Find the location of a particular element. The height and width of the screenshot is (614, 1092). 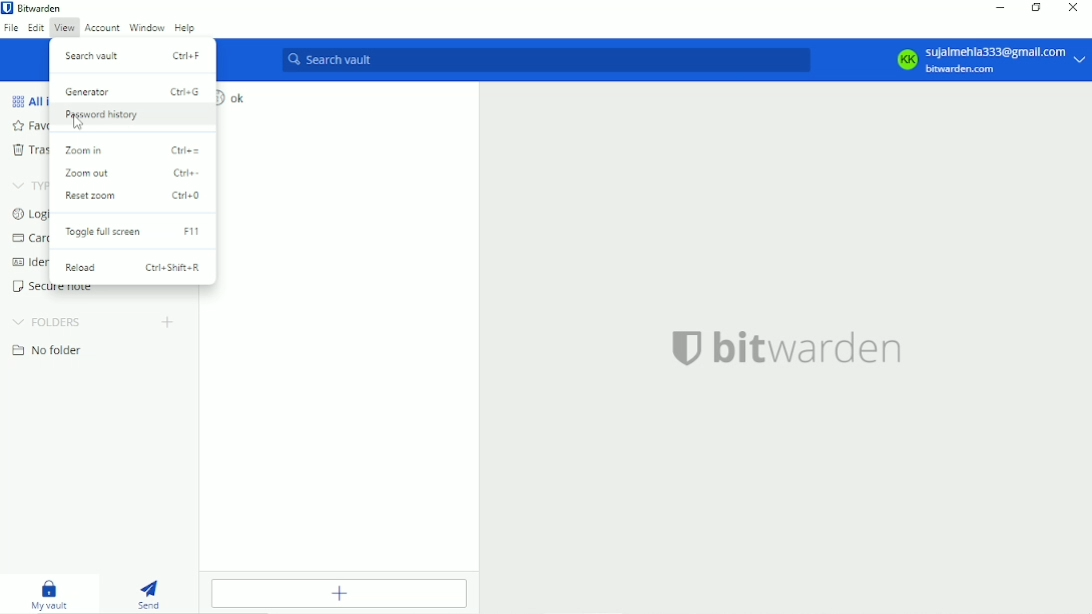

Search vault is located at coordinates (133, 54).